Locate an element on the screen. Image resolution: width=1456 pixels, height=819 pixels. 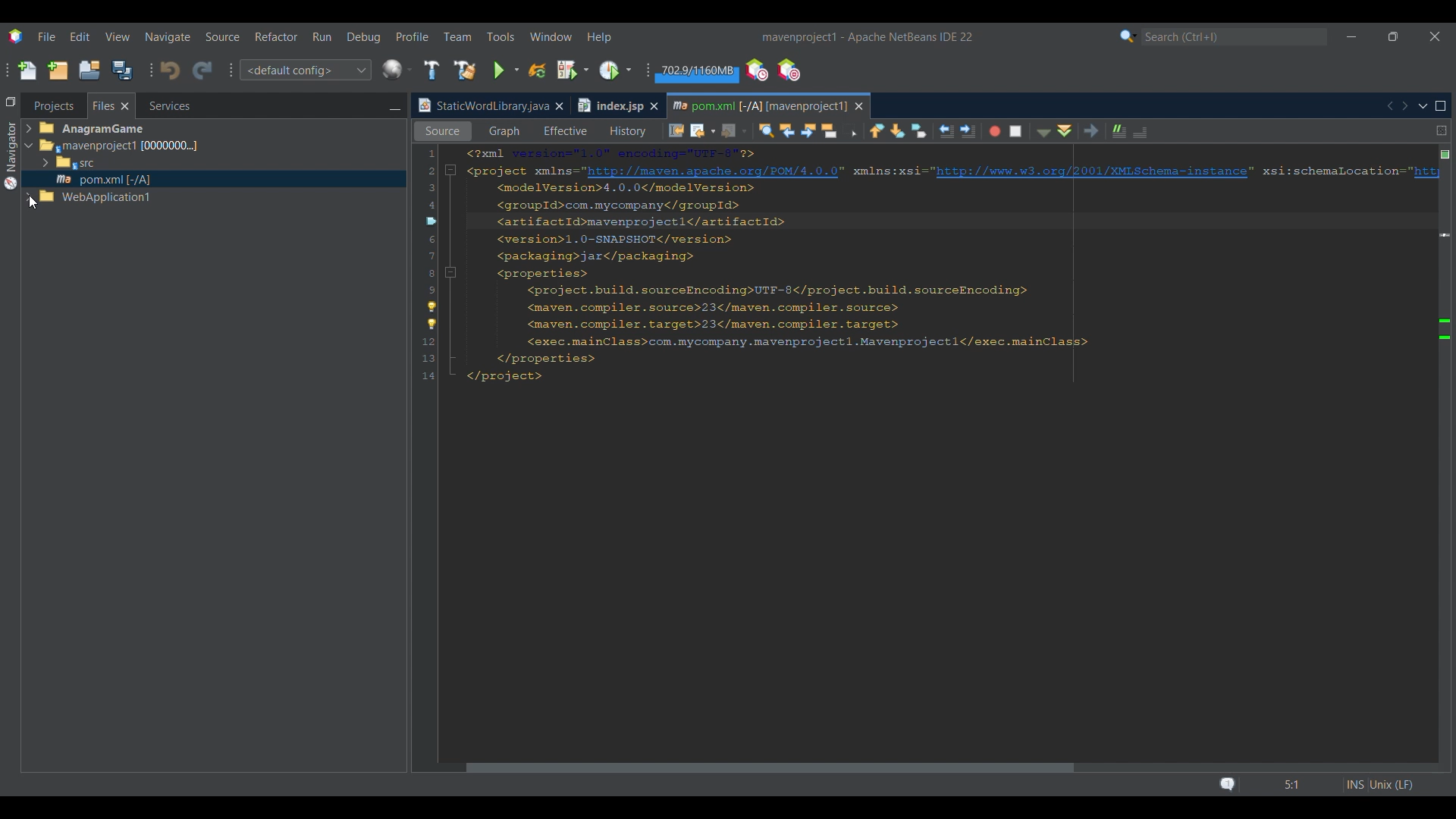
Save all is located at coordinates (122, 70).